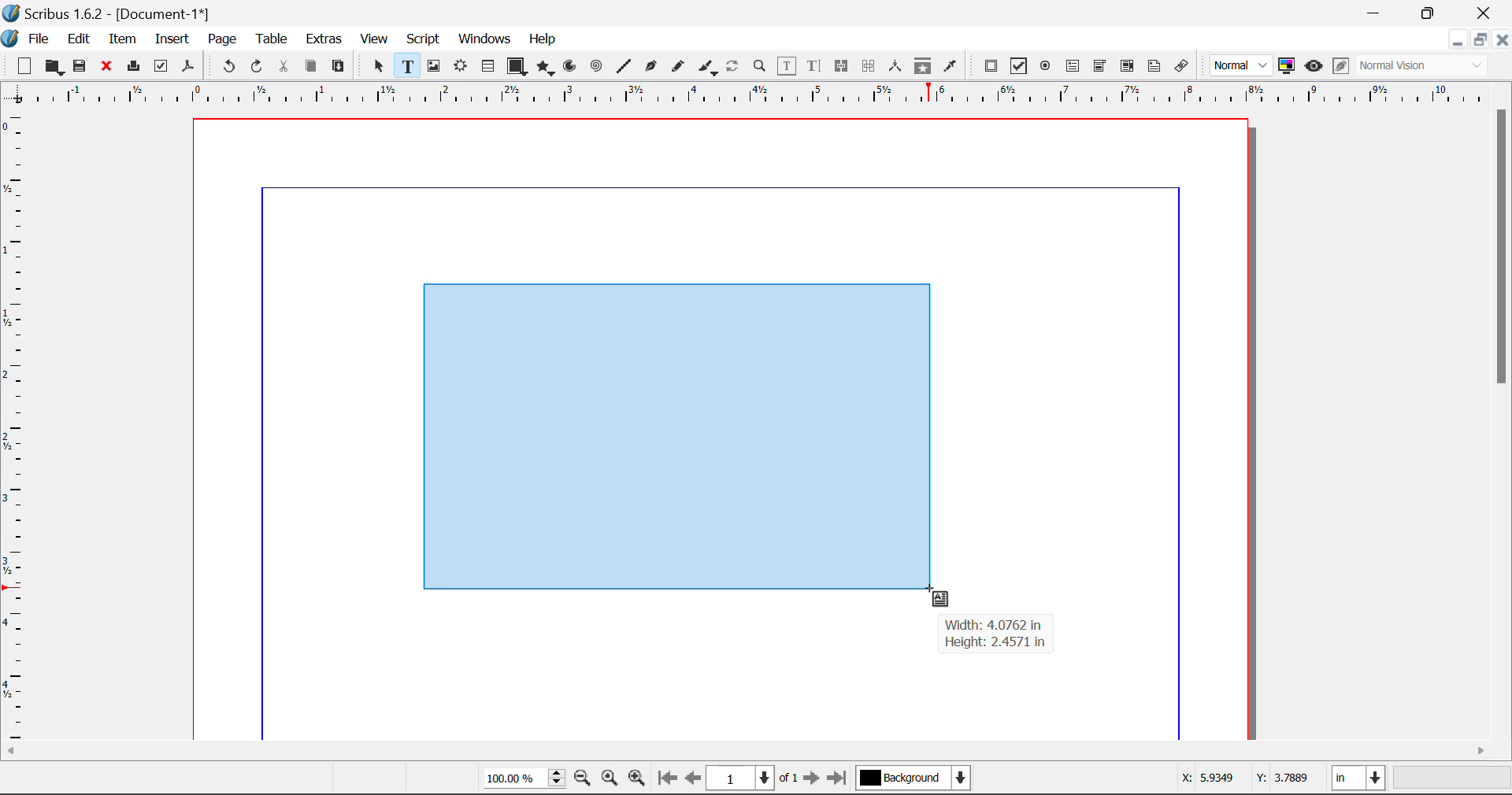 Image resolution: width=1512 pixels, height=795 pixels. Describe the element at coordinates (1428, 66) in the screenshot. I see `Display Visual Appearance` at that location.